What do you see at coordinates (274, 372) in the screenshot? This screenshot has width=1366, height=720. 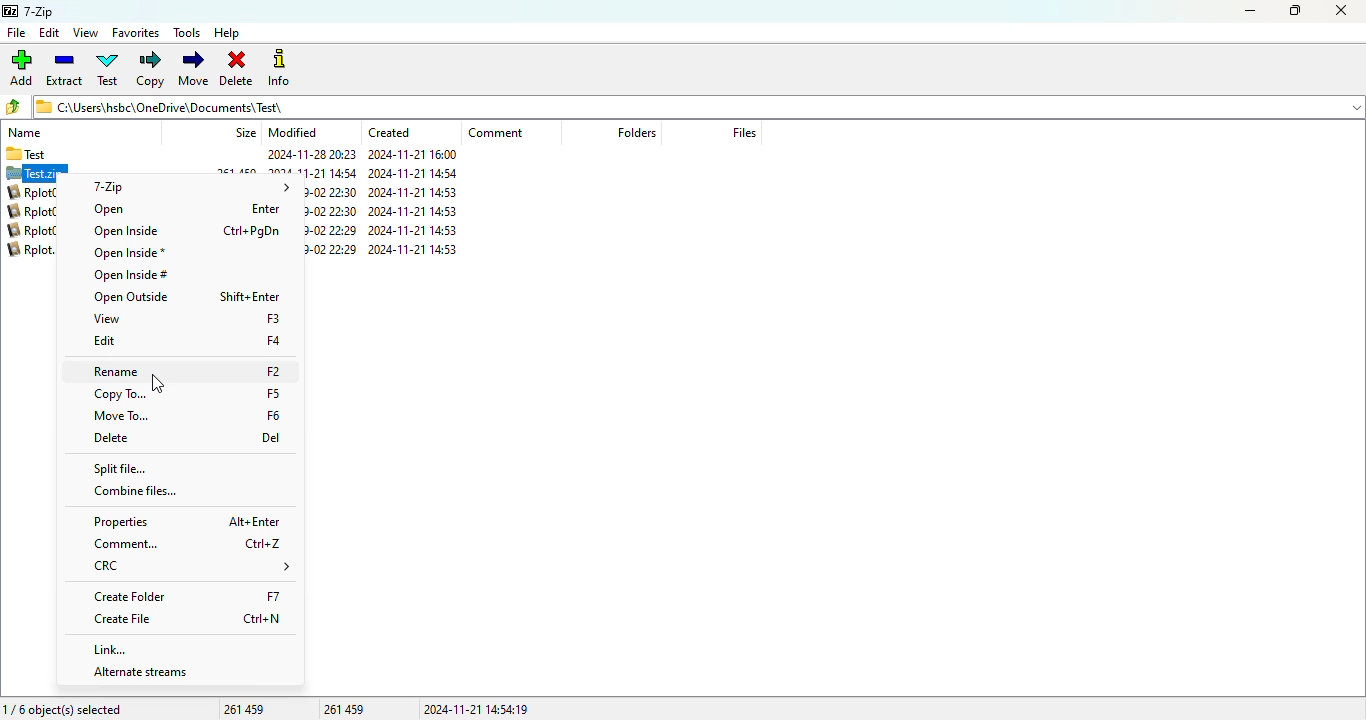 I see `F2` at bounding box center [274, 372].